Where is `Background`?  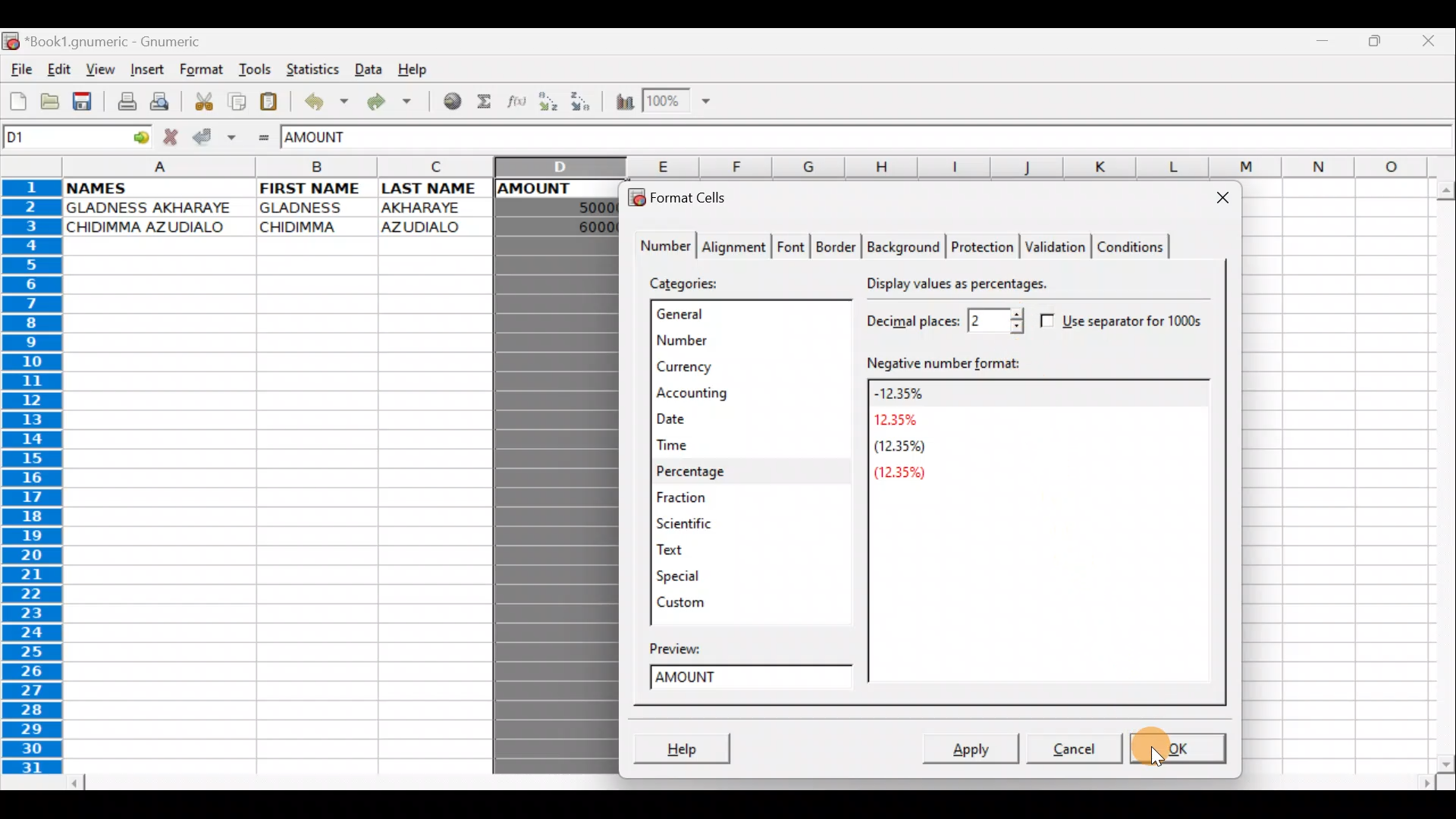
Background is located at coordinates (905, 246).